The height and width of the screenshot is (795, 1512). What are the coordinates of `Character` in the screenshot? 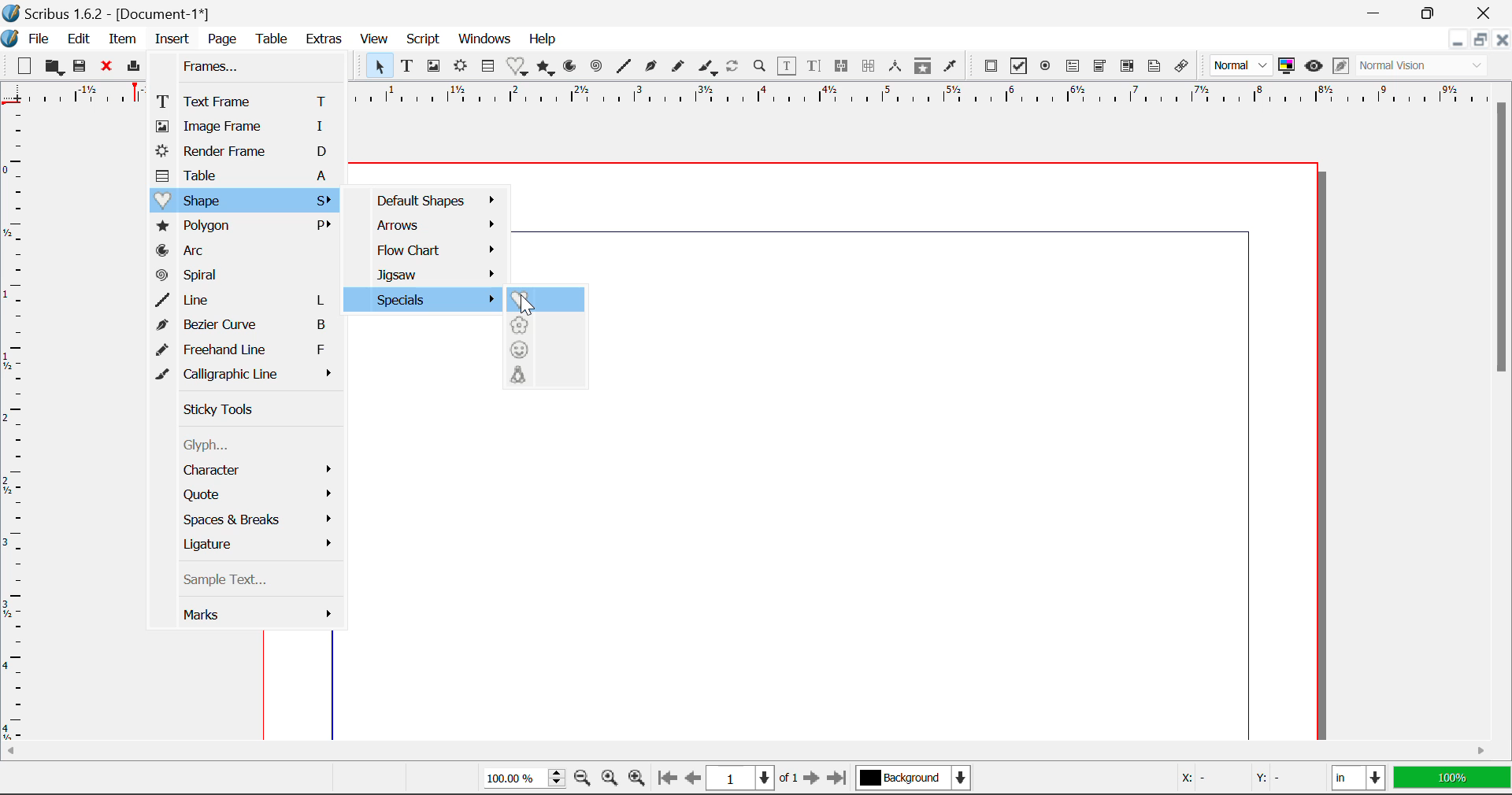 It's located at (548, 376).